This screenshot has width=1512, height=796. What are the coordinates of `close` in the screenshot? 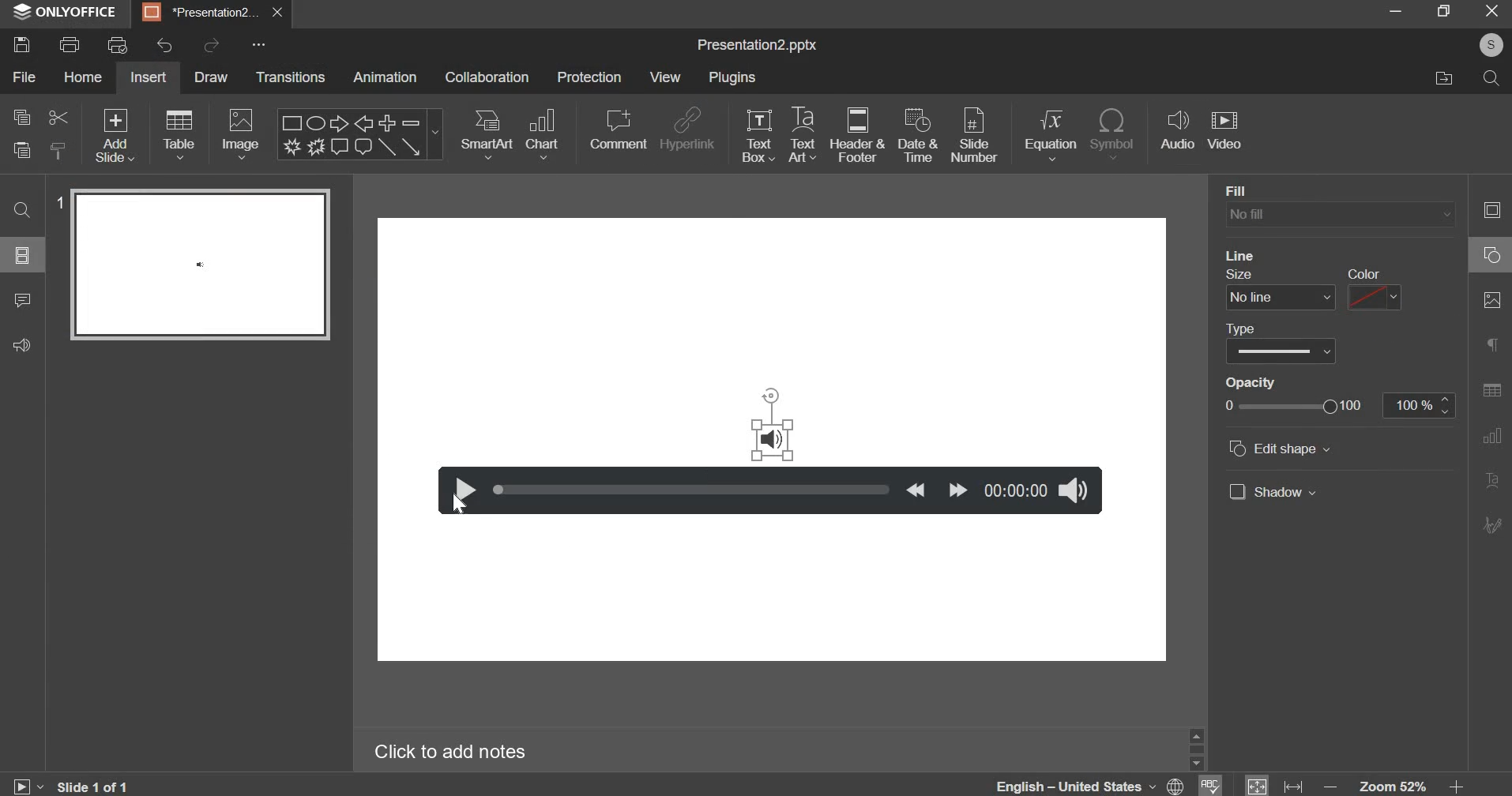 It's located at (277, 13).